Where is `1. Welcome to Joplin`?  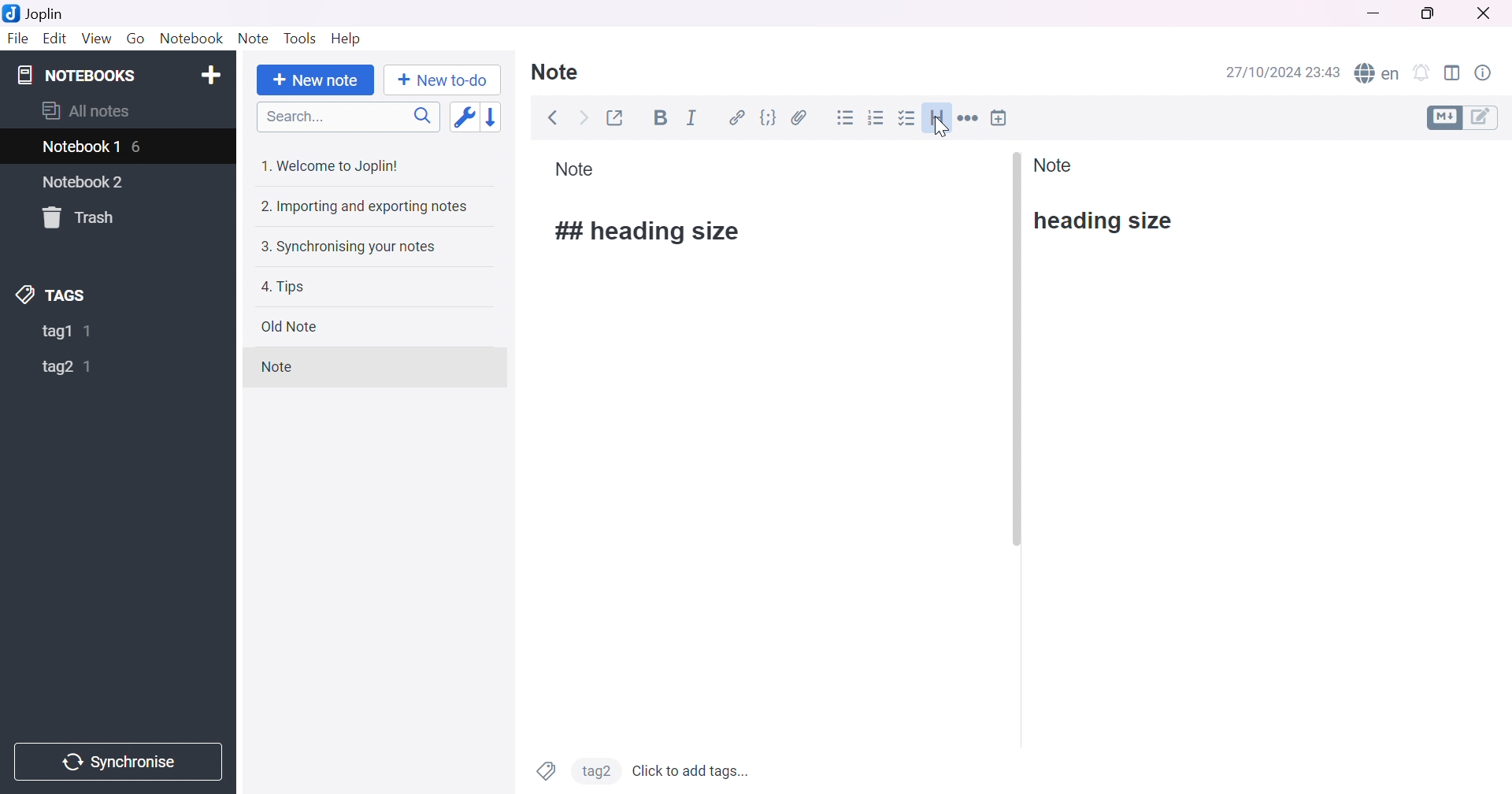 1. Welcome to Joplin is located at coordinates (332, 165).